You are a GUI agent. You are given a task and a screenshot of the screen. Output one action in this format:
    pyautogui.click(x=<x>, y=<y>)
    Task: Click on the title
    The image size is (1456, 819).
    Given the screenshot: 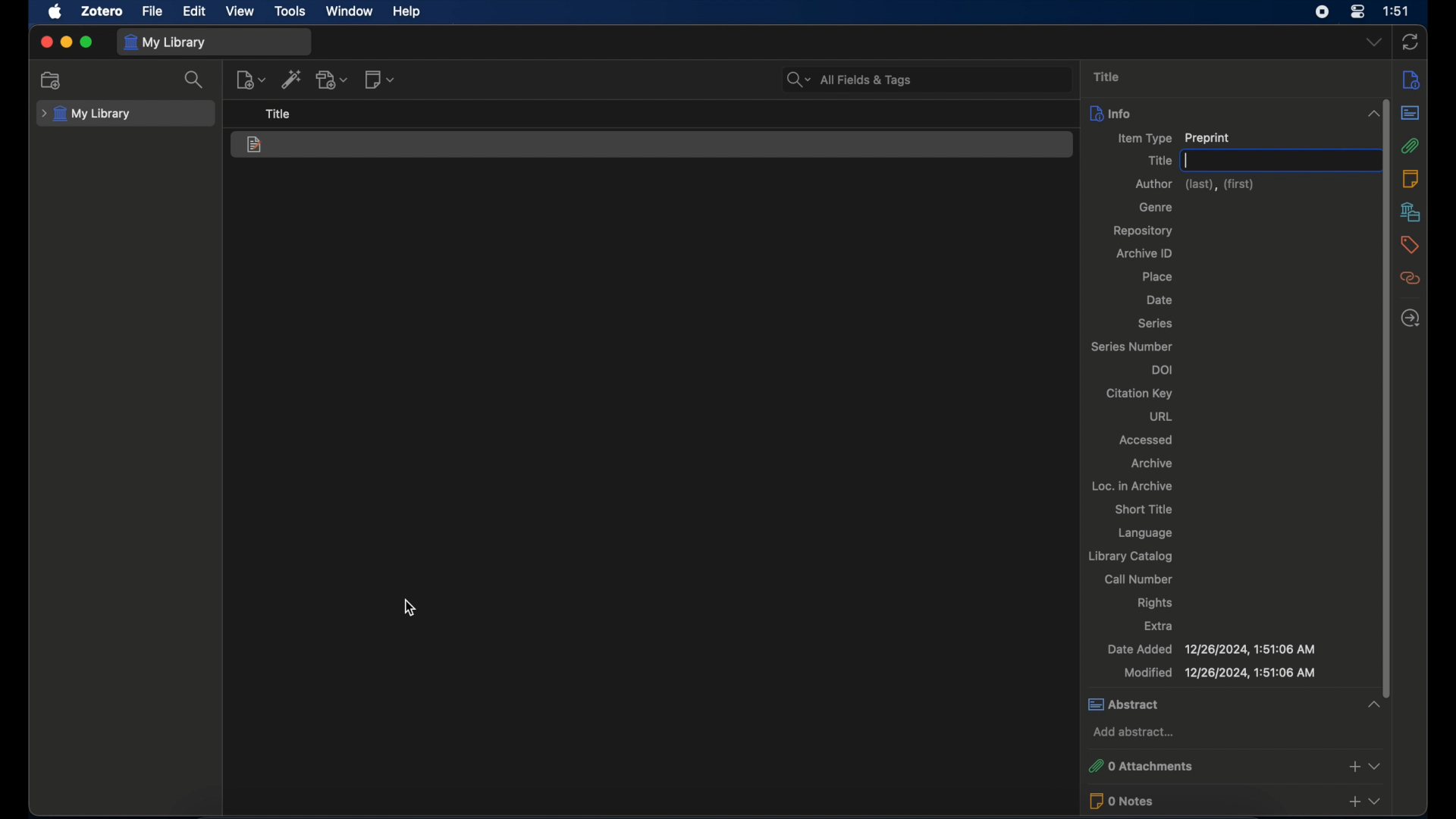 What is the action you would take?
    pyautogui.click(x=1109, y=77)
    